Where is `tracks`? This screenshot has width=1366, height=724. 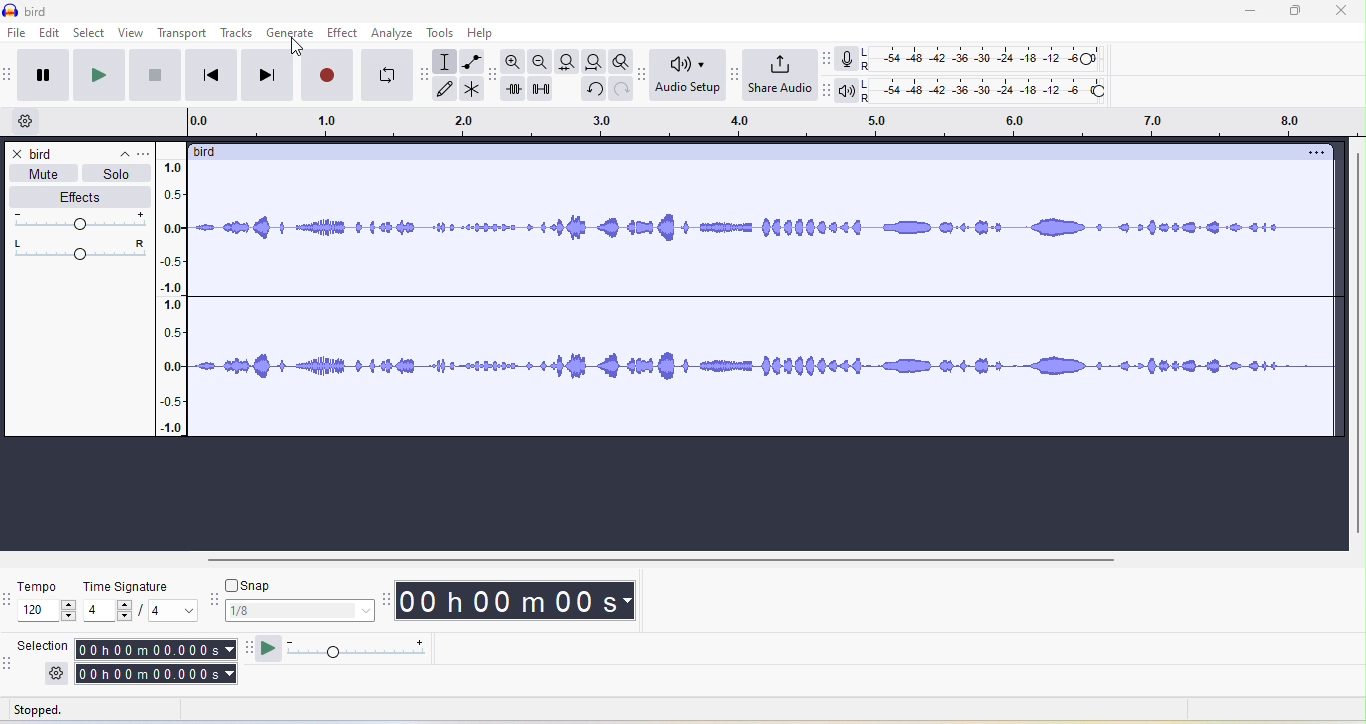
tracks is located at coordinates (237, 34).